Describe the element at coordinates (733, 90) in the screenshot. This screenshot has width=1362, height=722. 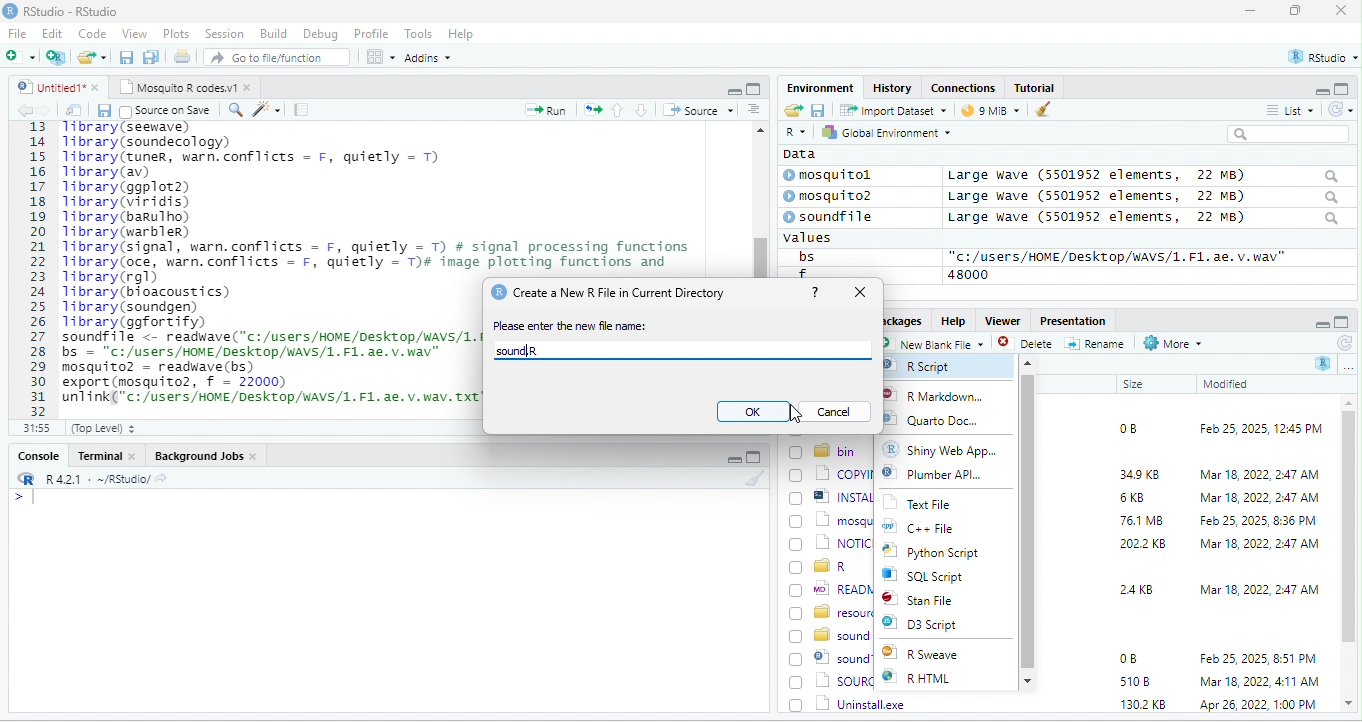
I see `minimize` at that location.